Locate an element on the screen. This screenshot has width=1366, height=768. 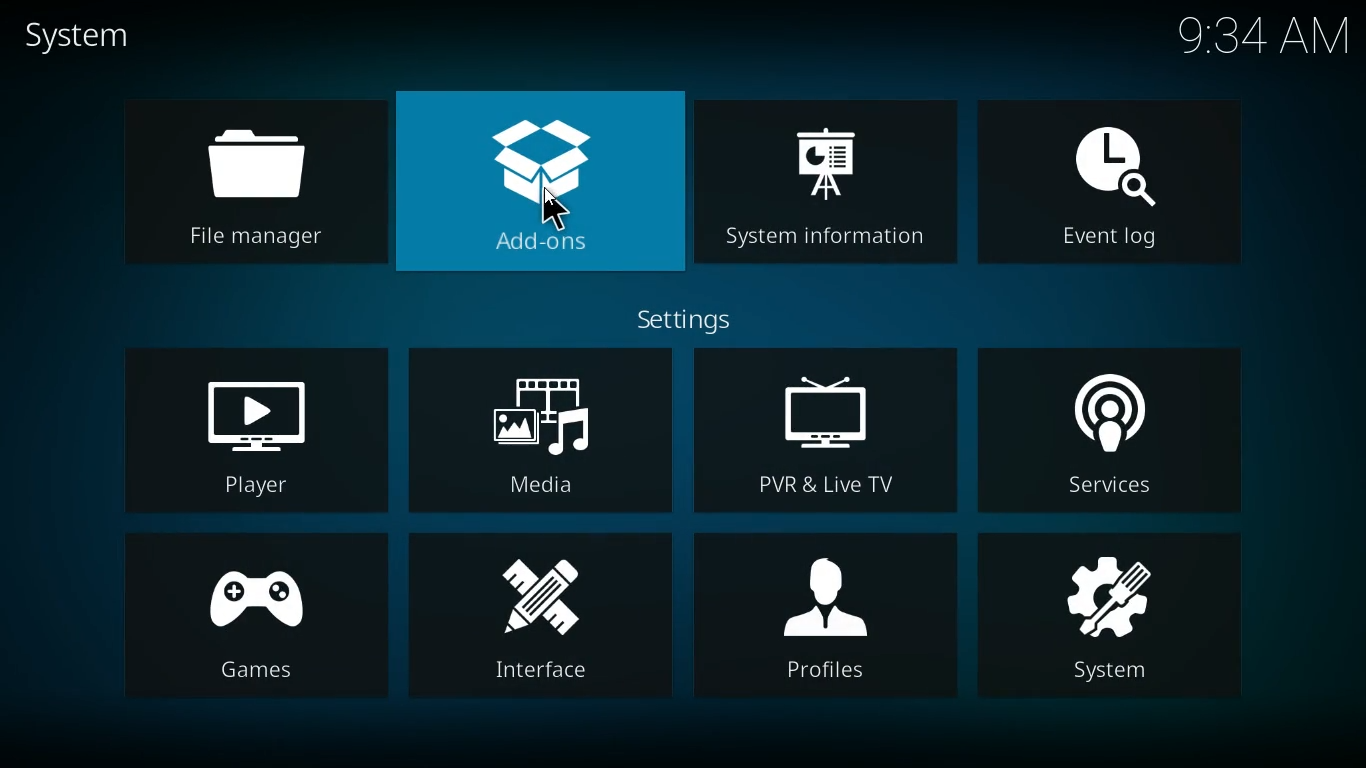
interface is located at coordinates (539, 616).